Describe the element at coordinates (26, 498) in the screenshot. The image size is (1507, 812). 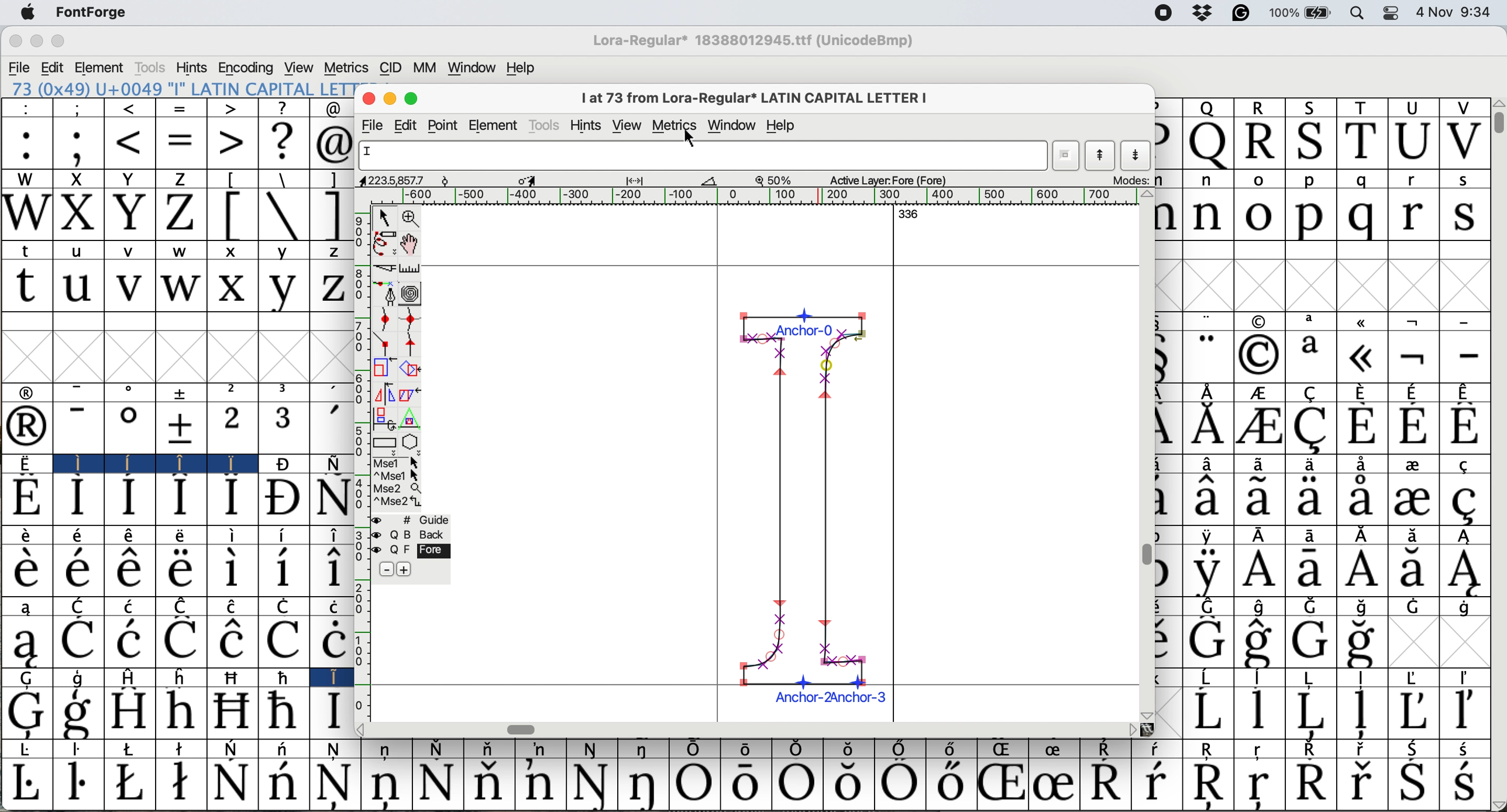
I see `Symbol` at that location.